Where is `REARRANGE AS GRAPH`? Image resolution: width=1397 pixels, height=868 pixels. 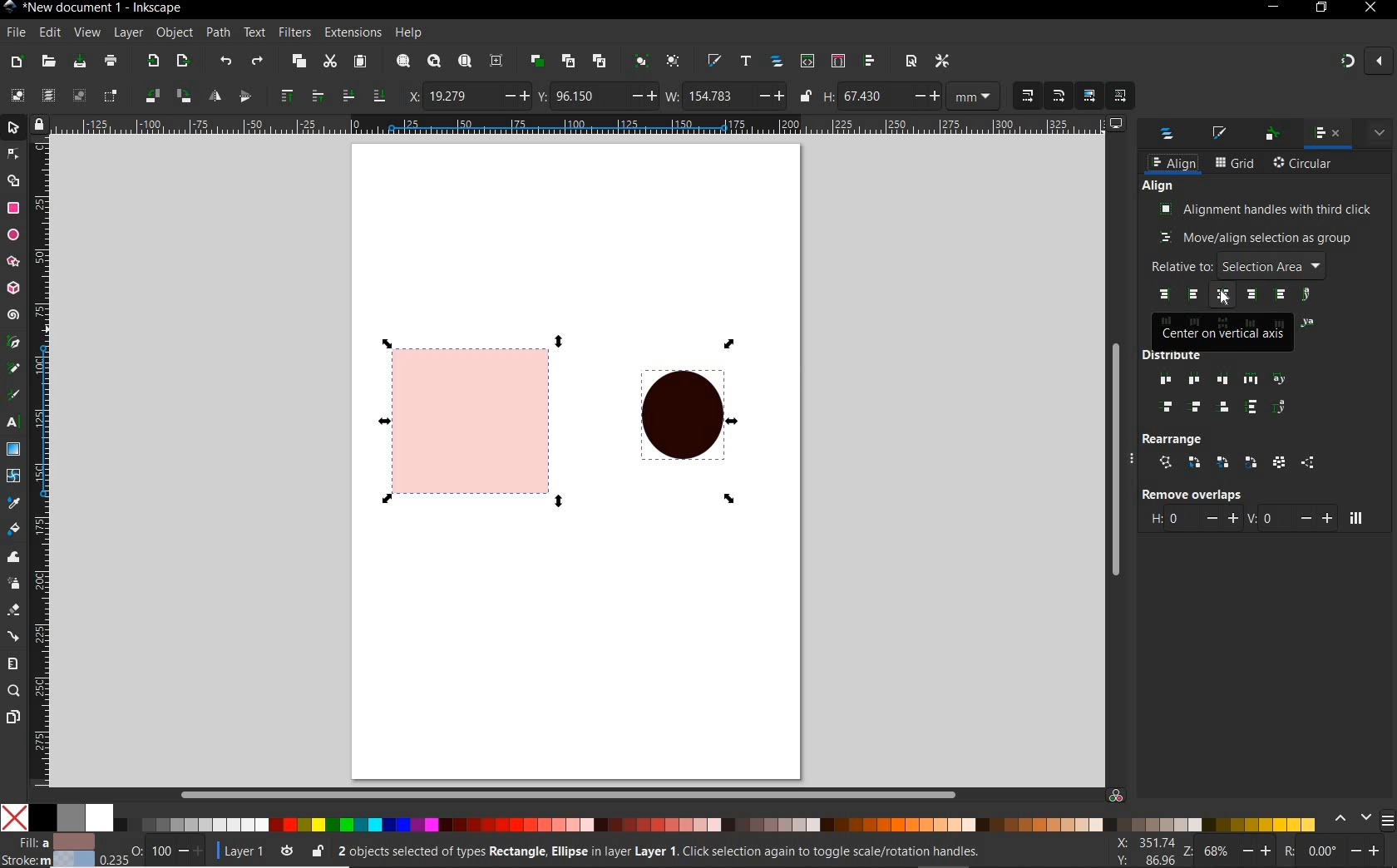
REARRANGE AS GRAPH is located at coordinates (1166, 462).